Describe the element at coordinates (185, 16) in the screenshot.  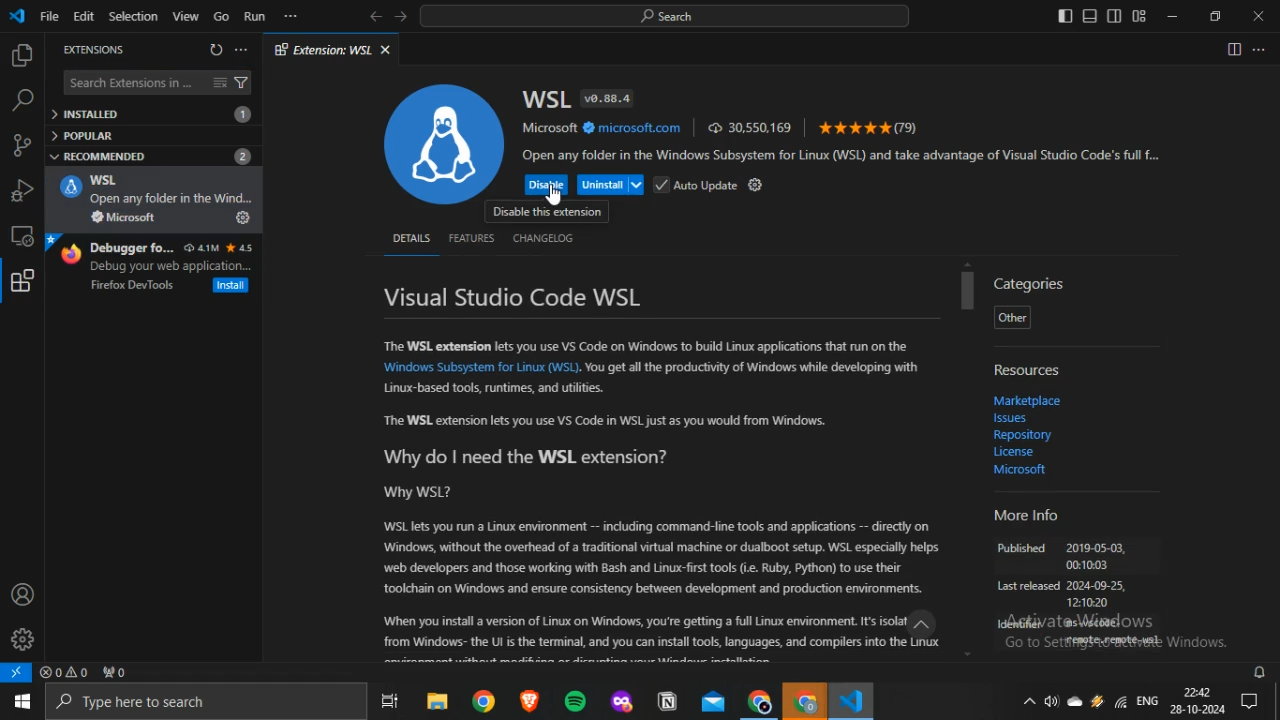
I see `View` at that location.